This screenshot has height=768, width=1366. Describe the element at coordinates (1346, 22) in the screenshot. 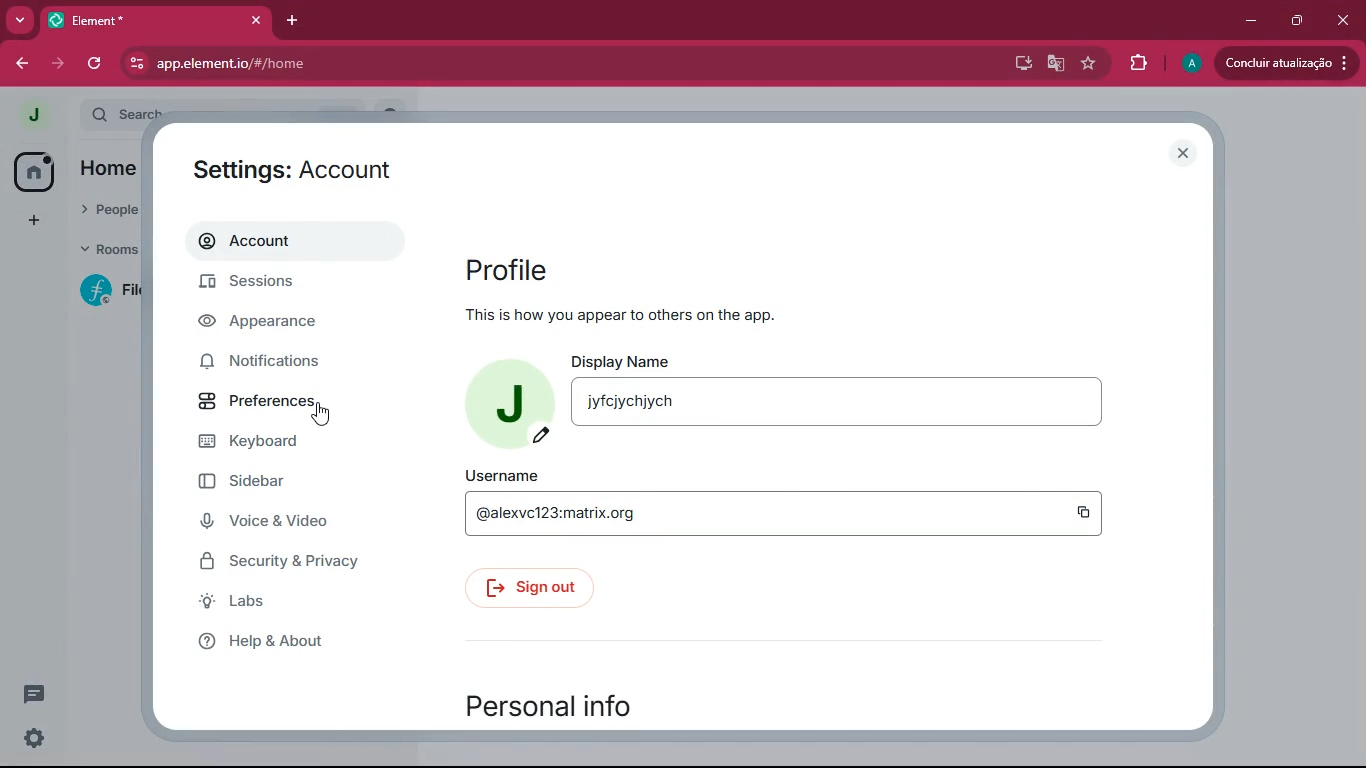

I see `click` at that location.